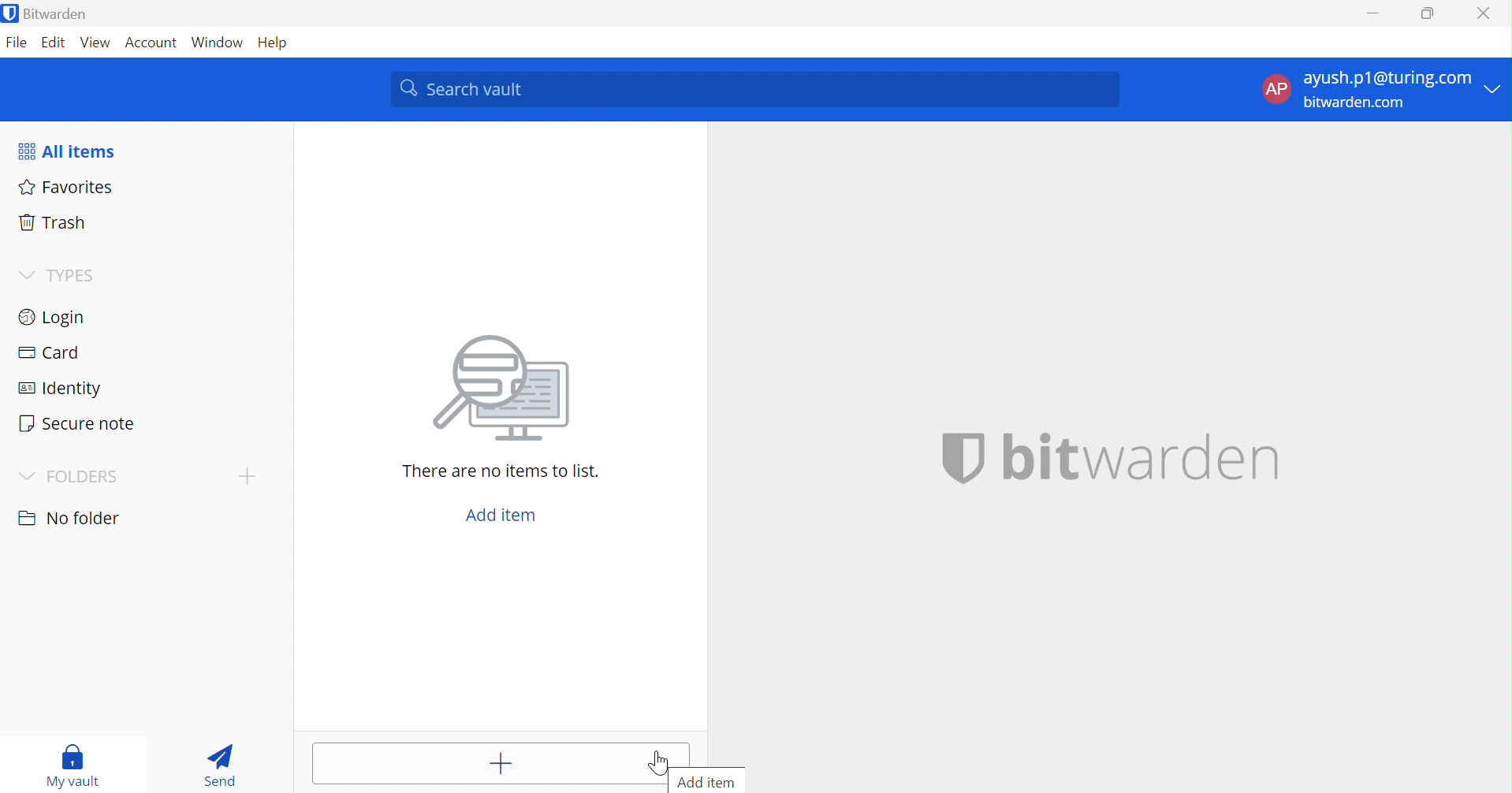  I want to click on Add item, so click(505, 516).